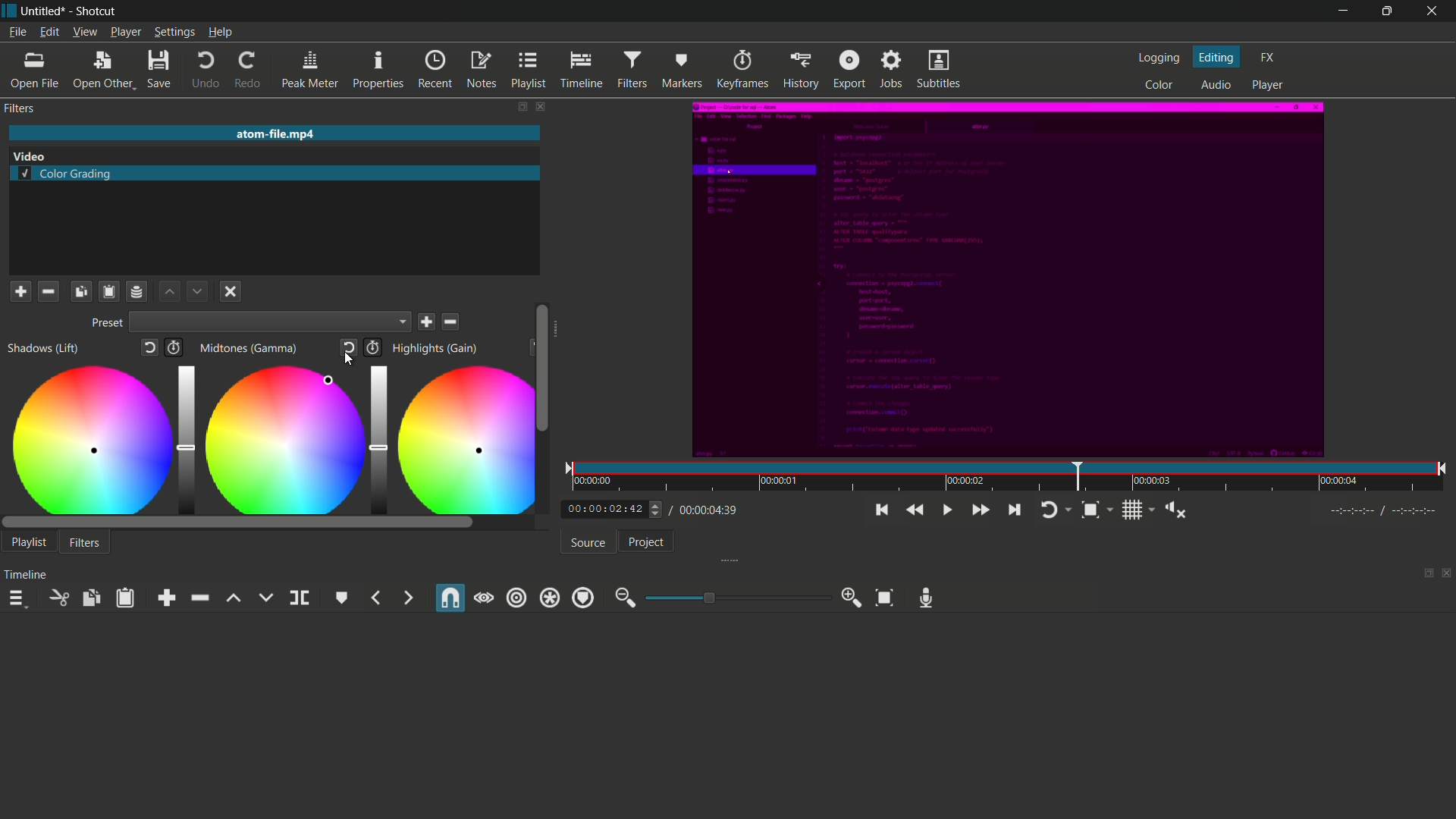  What do you see at coordinates (89, 438) in the screenshot?
I see `adjustment circle` at bounding box center [89, 438].